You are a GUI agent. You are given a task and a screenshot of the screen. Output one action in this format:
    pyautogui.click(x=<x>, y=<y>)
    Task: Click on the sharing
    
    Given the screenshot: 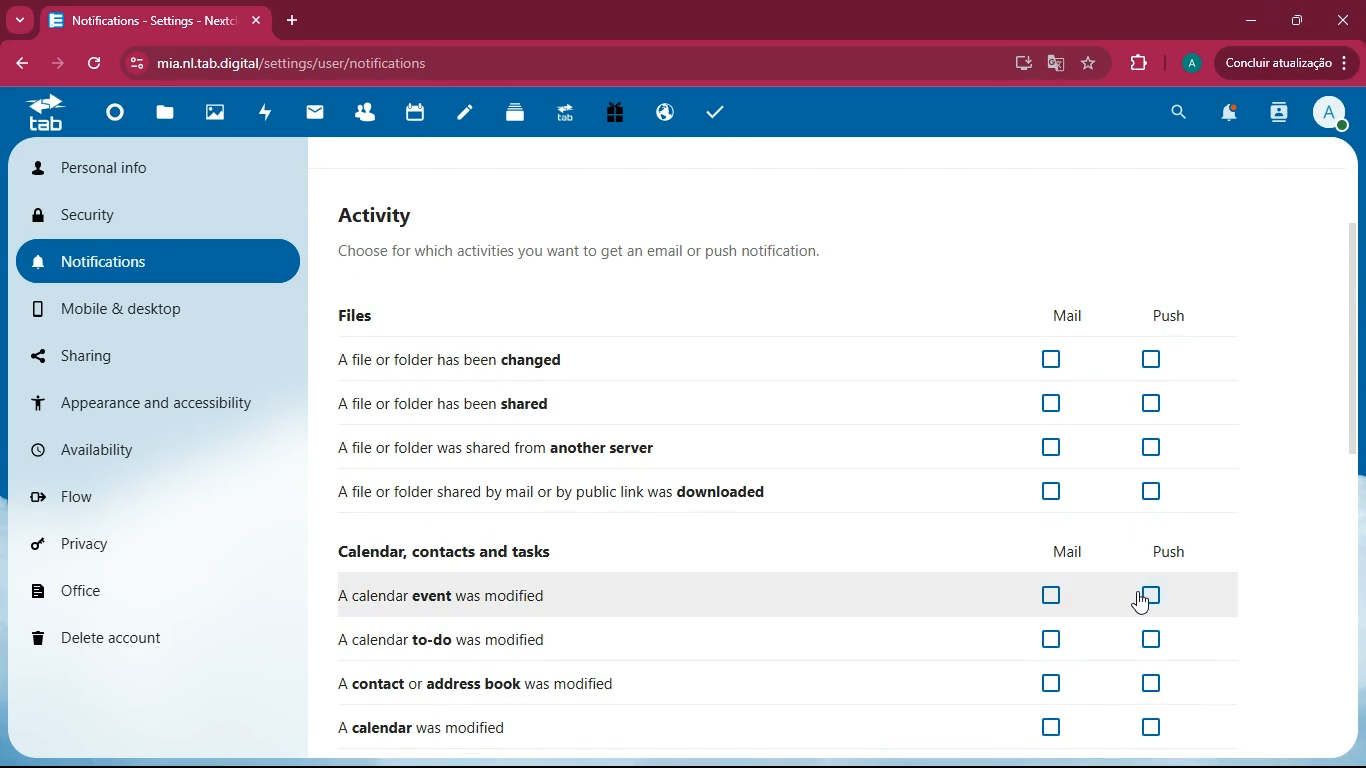 What is the action you would take?
    pyautogui.click(x=147, y=353)
    